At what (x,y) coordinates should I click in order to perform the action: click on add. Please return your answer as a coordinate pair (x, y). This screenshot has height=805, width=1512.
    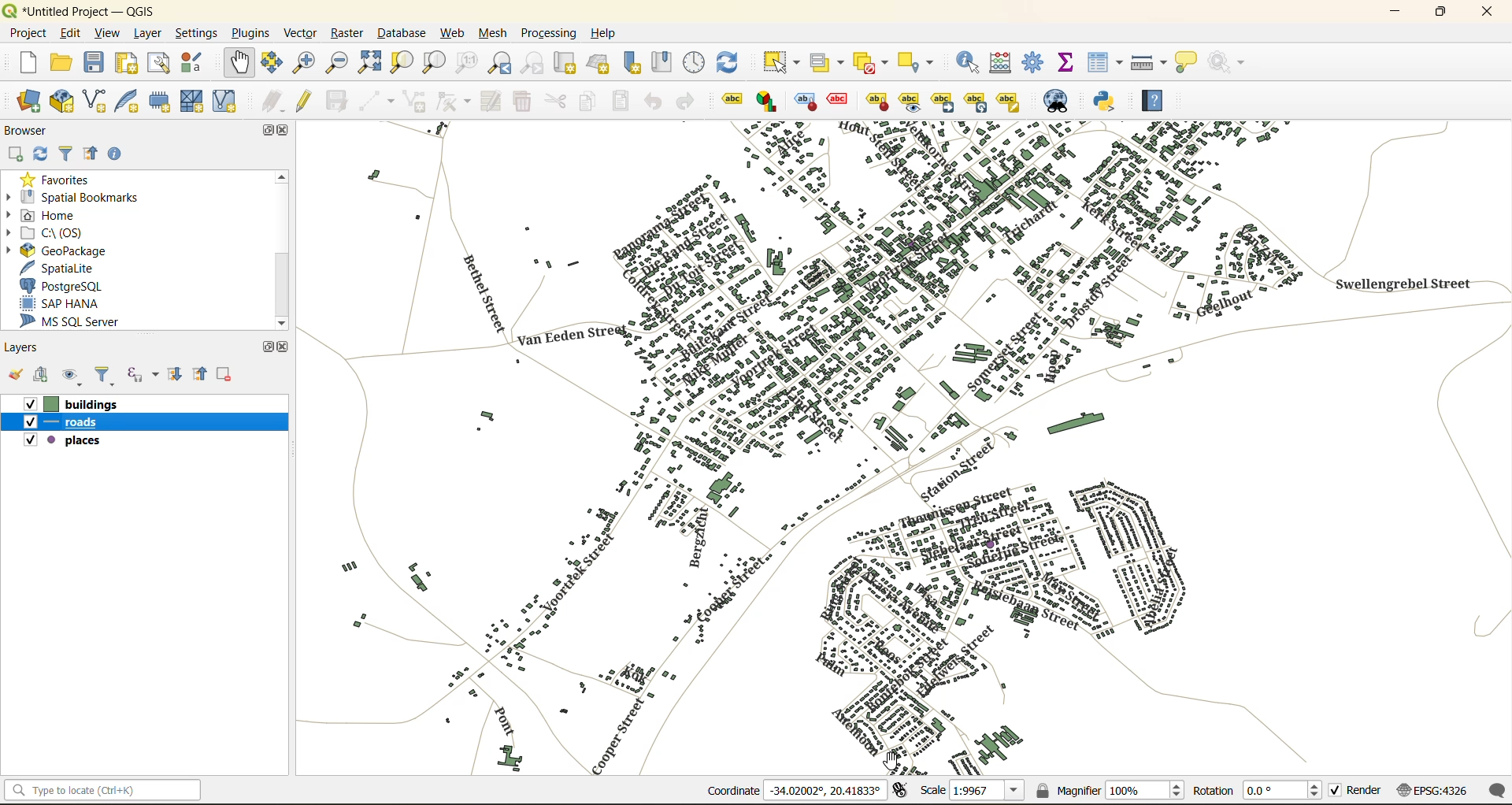
    Looking at the image, I should click on (43, 374).